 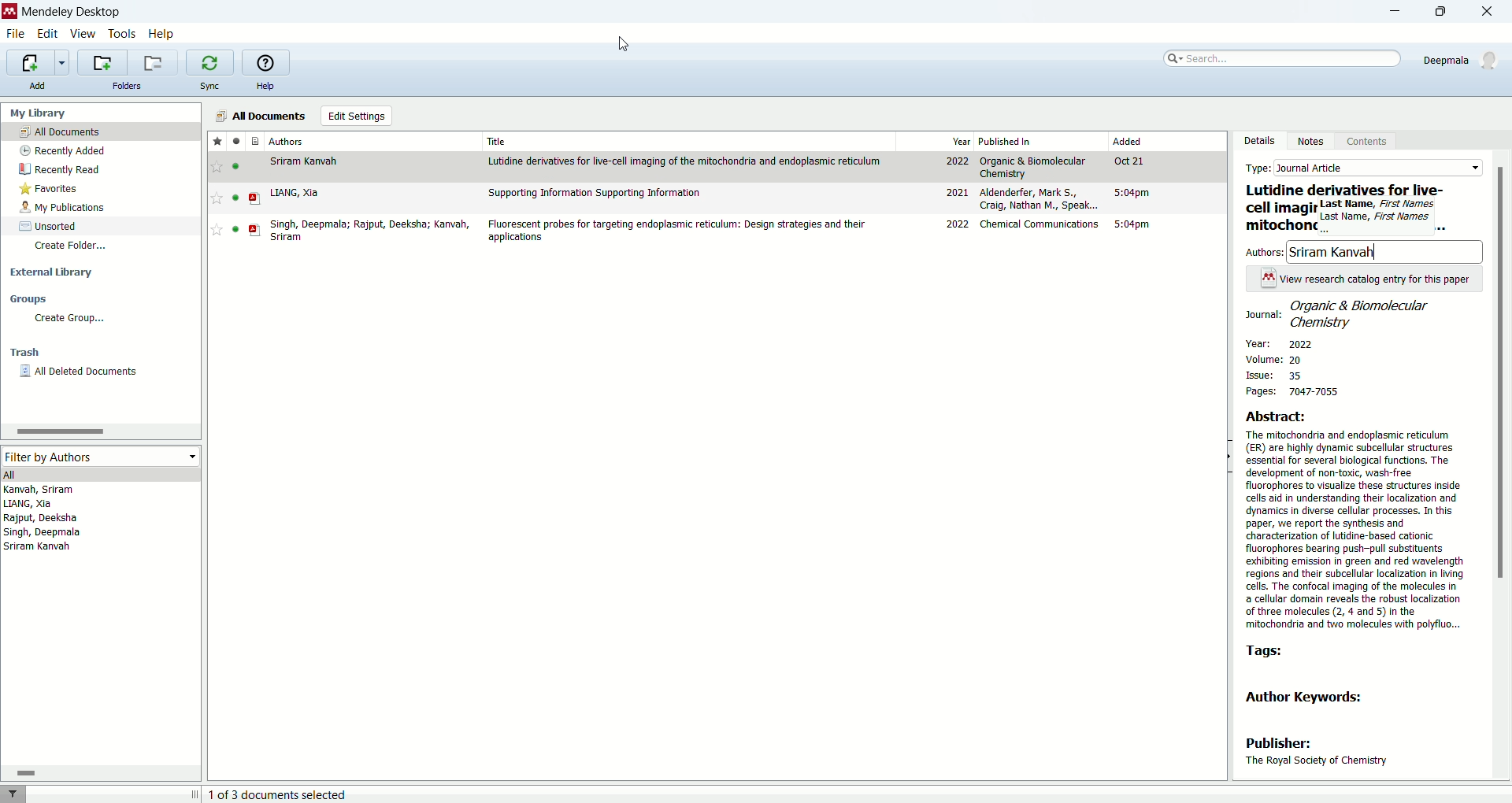 What do you see at coordinates (1281, 361) in the screenshot?
I see `volume: 20` at bounding box center [1281, 361].